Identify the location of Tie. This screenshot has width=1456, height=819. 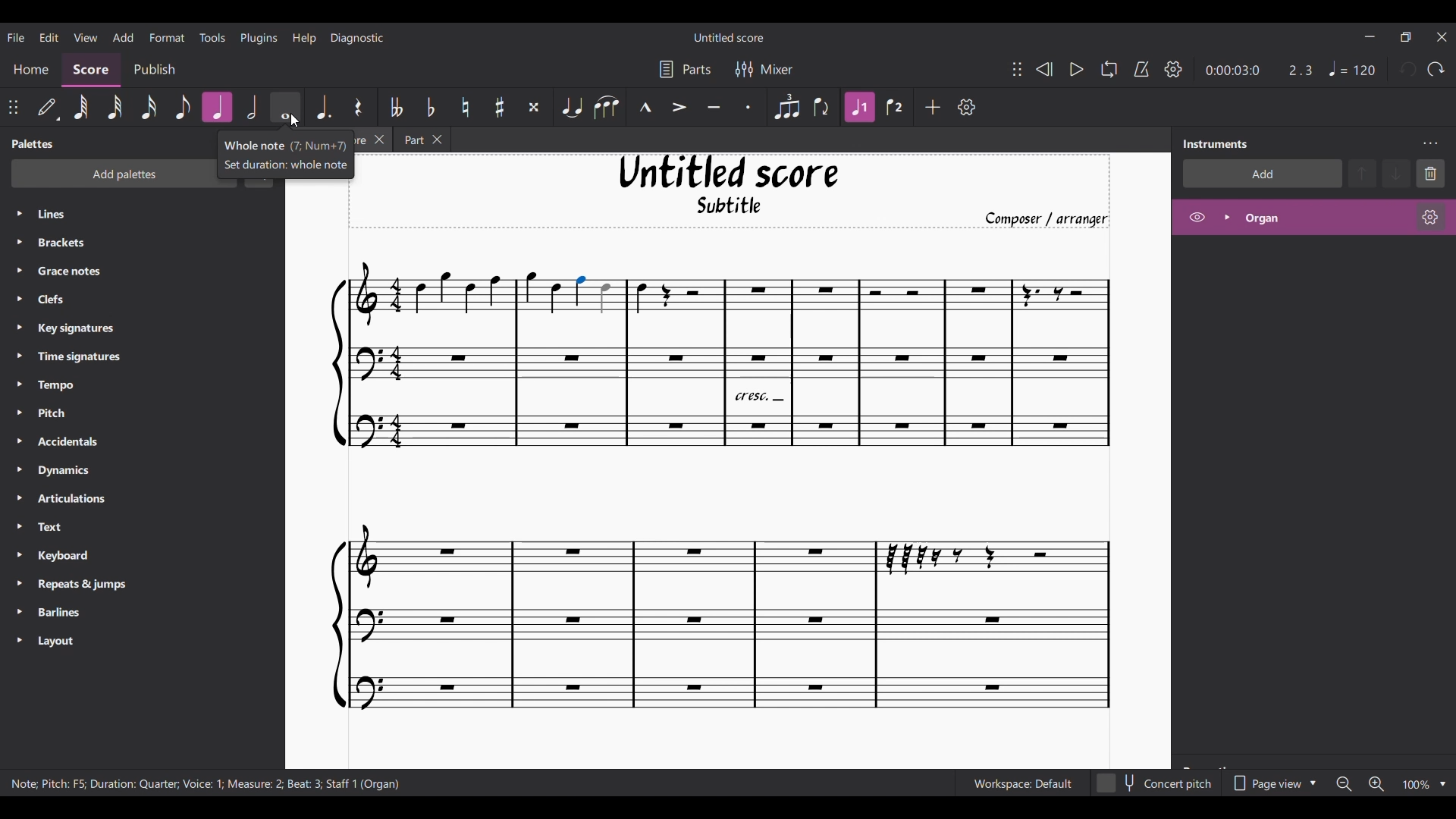
(572, 107).